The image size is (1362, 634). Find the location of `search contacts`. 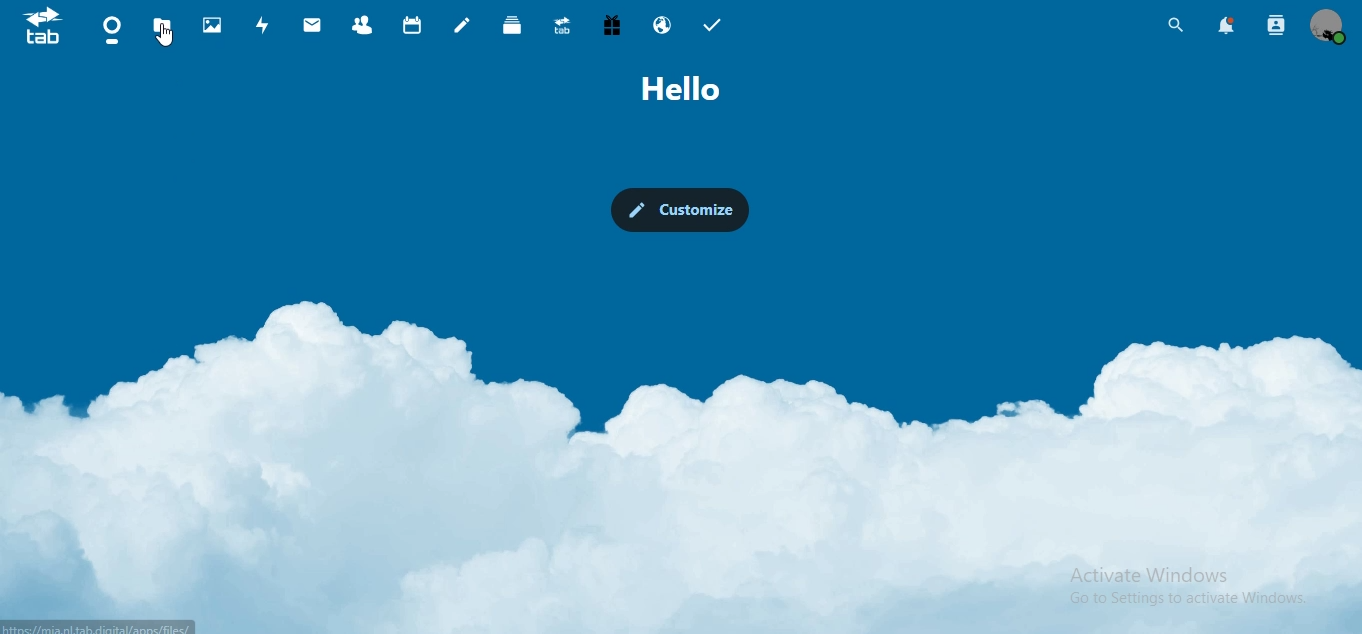

search contacts is located at coordinates (1273, 24).